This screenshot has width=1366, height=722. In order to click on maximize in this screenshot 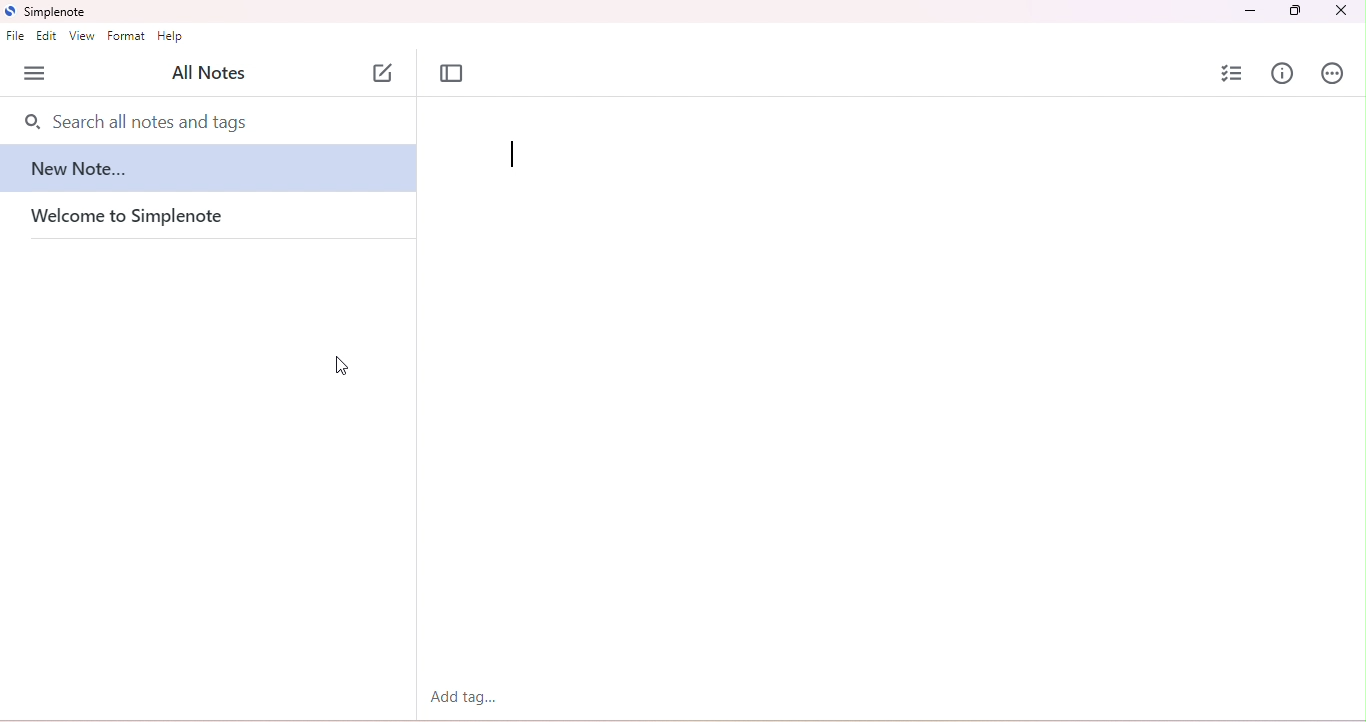, I will do `click(1296, 11)`.